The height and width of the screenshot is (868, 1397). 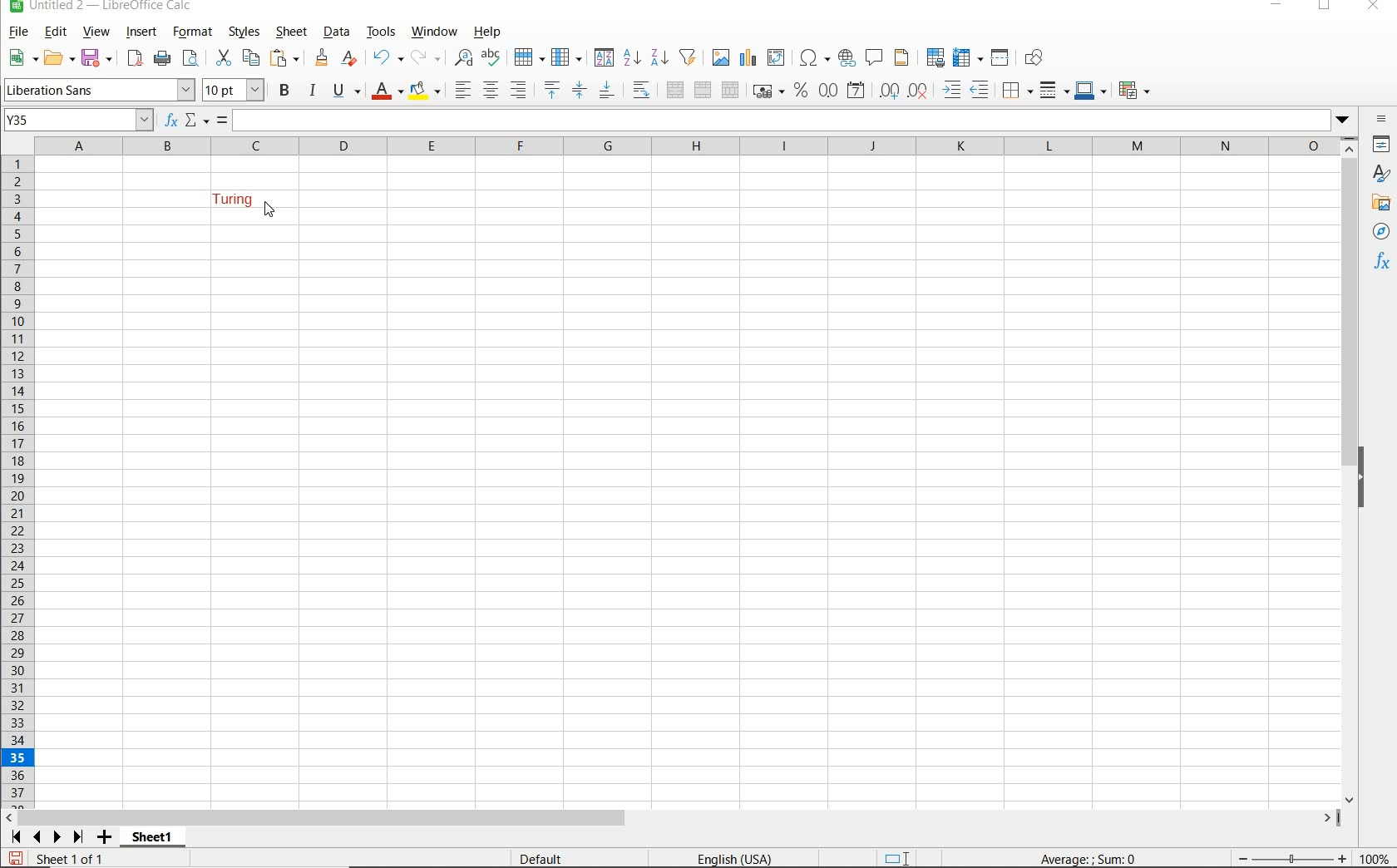 What do you see at coordinates (545, 857) in the screenshot?
I see `DEFAULT` at bounding box center [545, 857].